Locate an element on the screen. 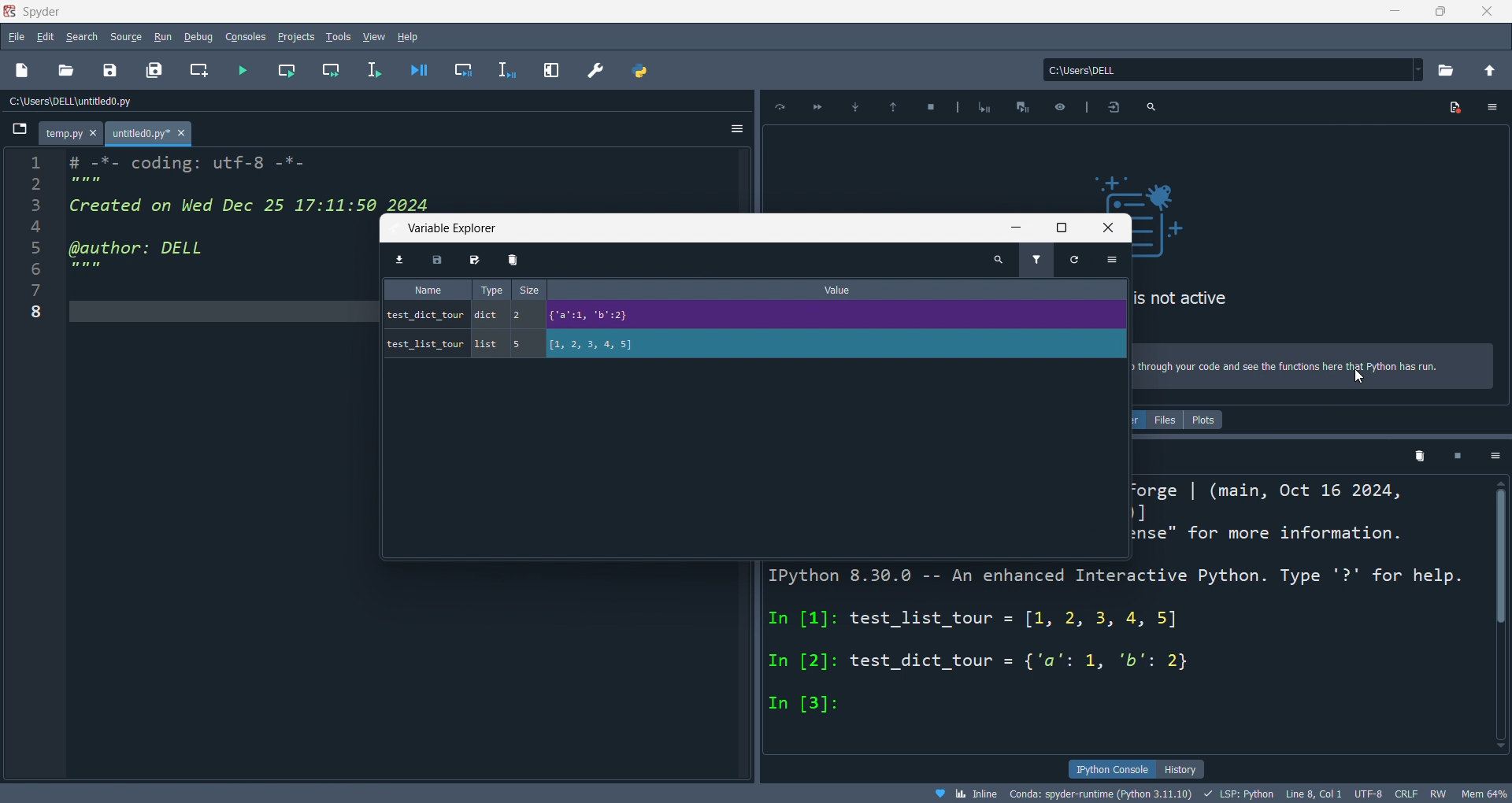 The height and width of the screenshot is (803, 1512). > through your code and see the functions here that python has run is located at coordinates (1298, 364).